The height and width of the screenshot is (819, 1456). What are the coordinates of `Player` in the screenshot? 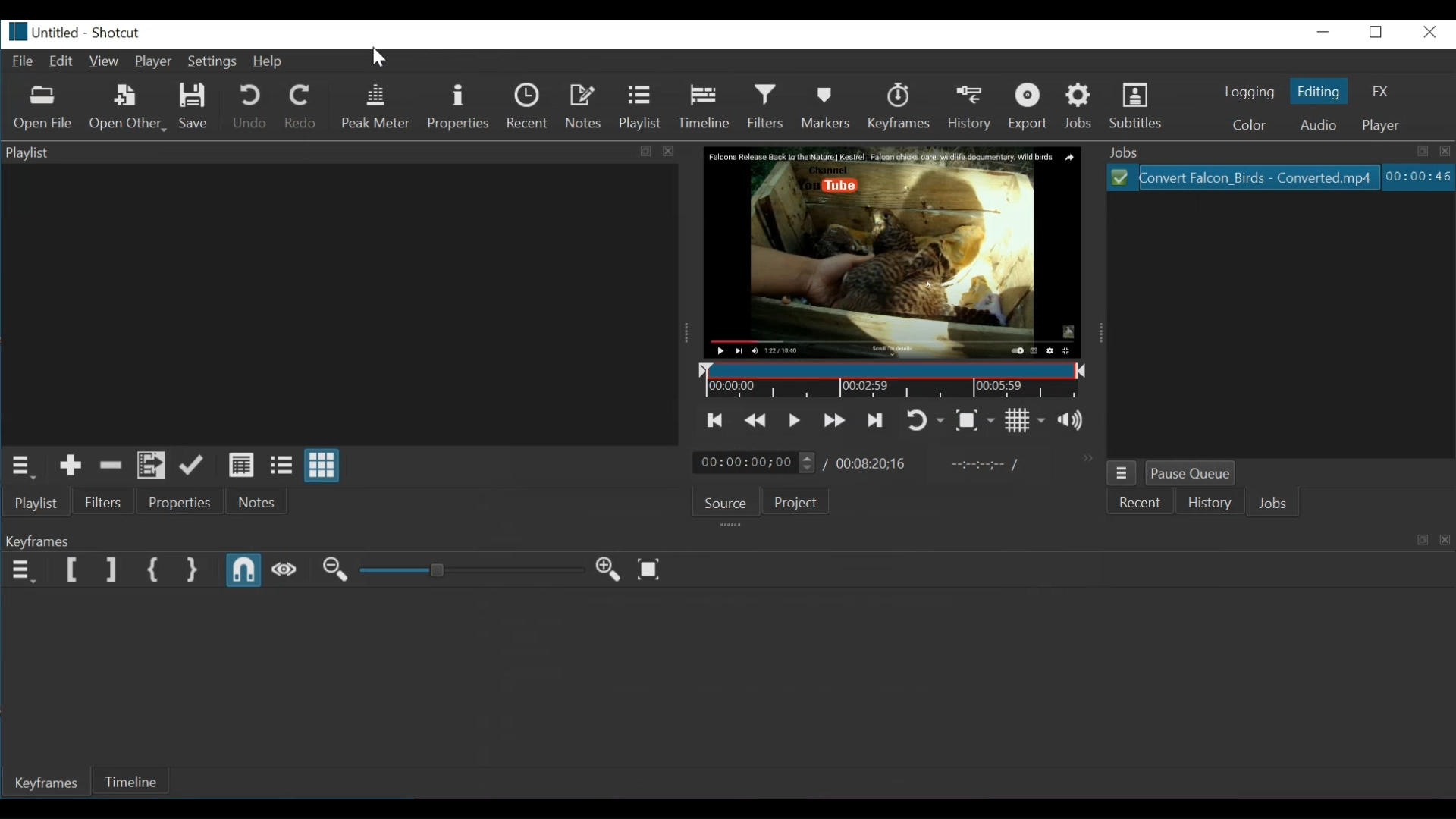 It's located at (154, 63).